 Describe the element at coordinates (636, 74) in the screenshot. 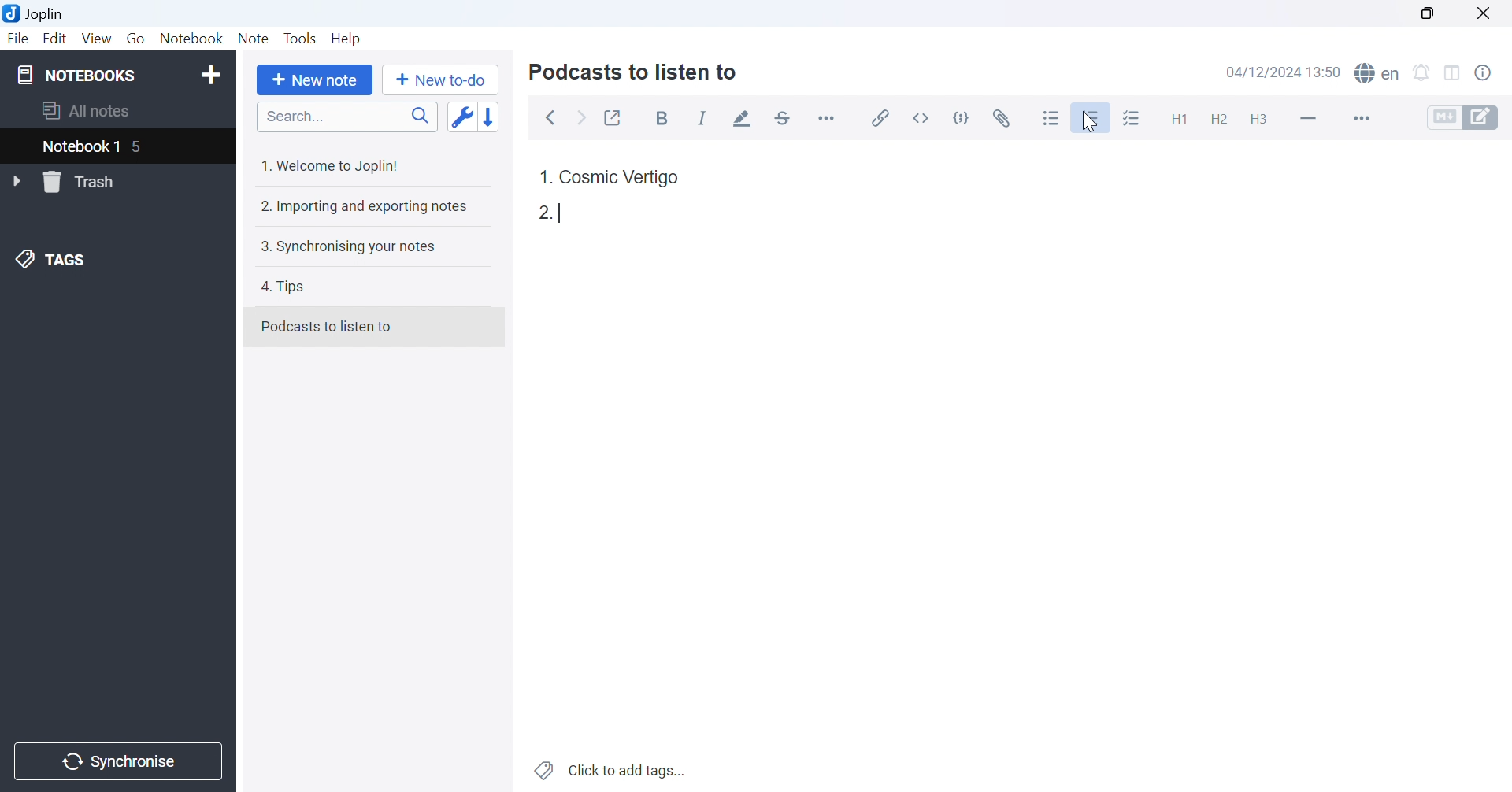

I see `Podcasts to listen to` at that location.